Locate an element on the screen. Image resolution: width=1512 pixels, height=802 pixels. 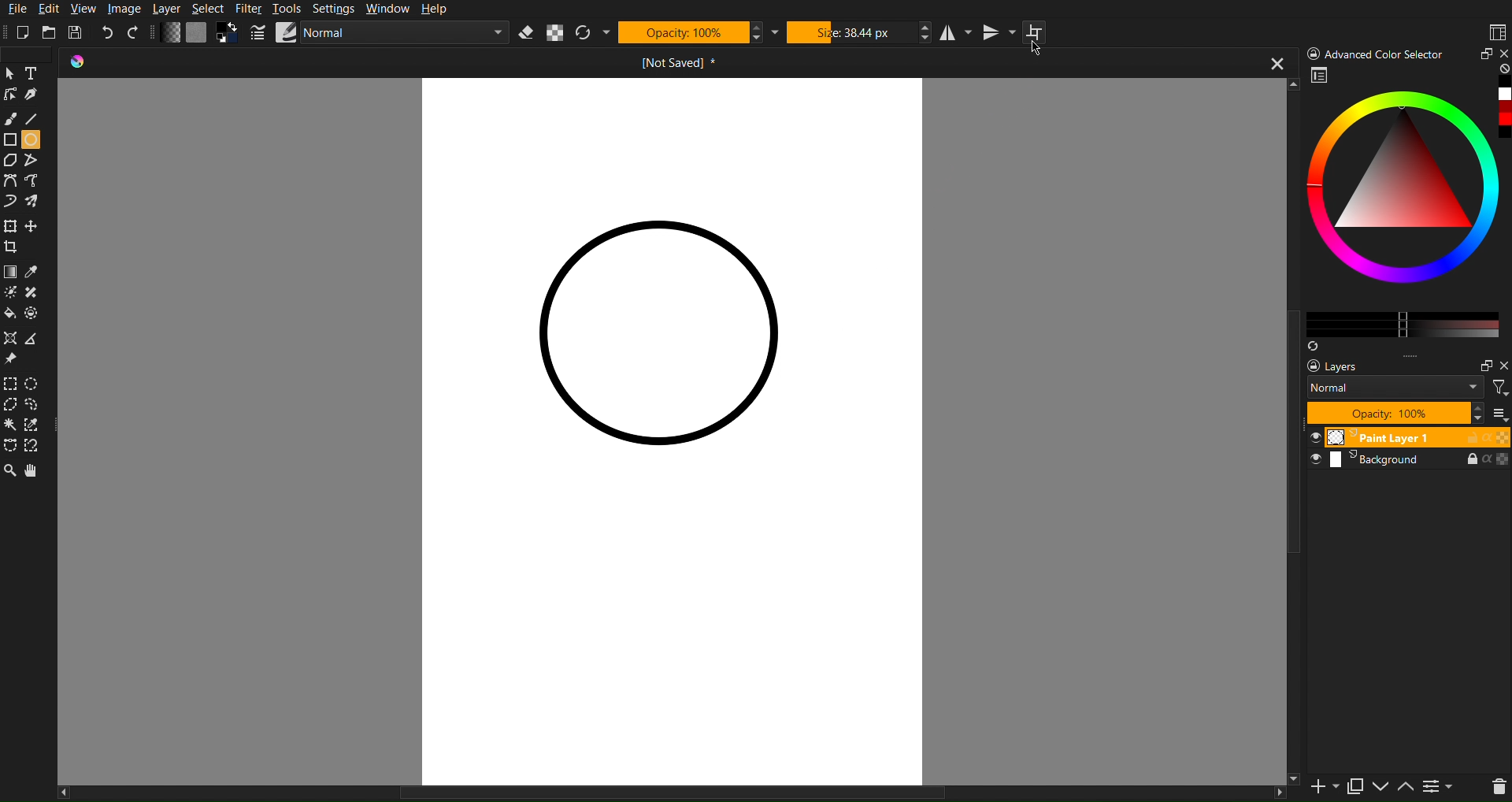
Cursor is located at coordinates (9, 72).